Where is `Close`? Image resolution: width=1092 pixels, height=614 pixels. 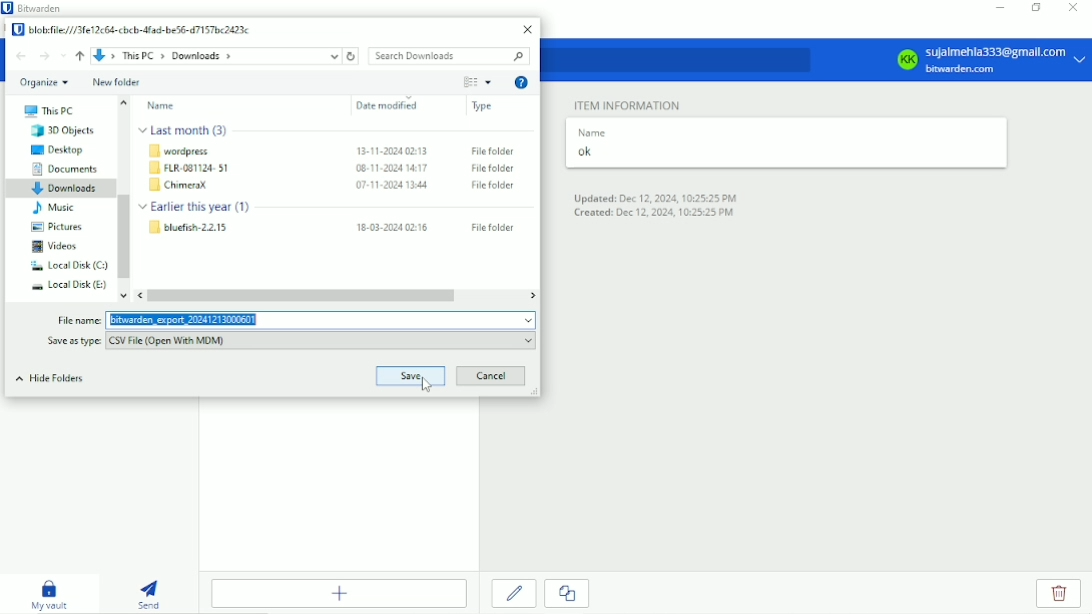 Close is located at coordinates (1071, 9).